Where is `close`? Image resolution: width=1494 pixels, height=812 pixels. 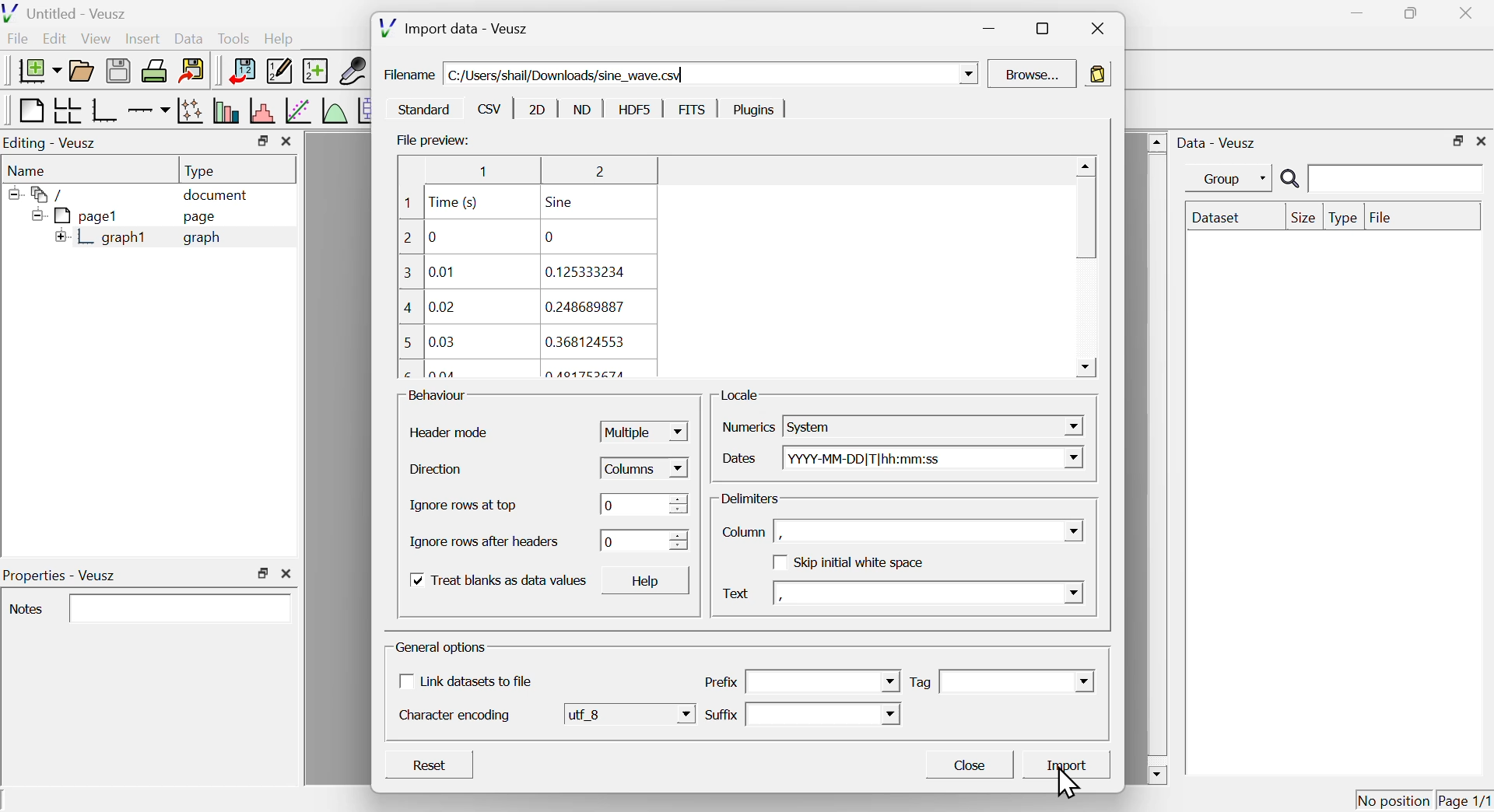 close is located at coordinates (1095, 30).